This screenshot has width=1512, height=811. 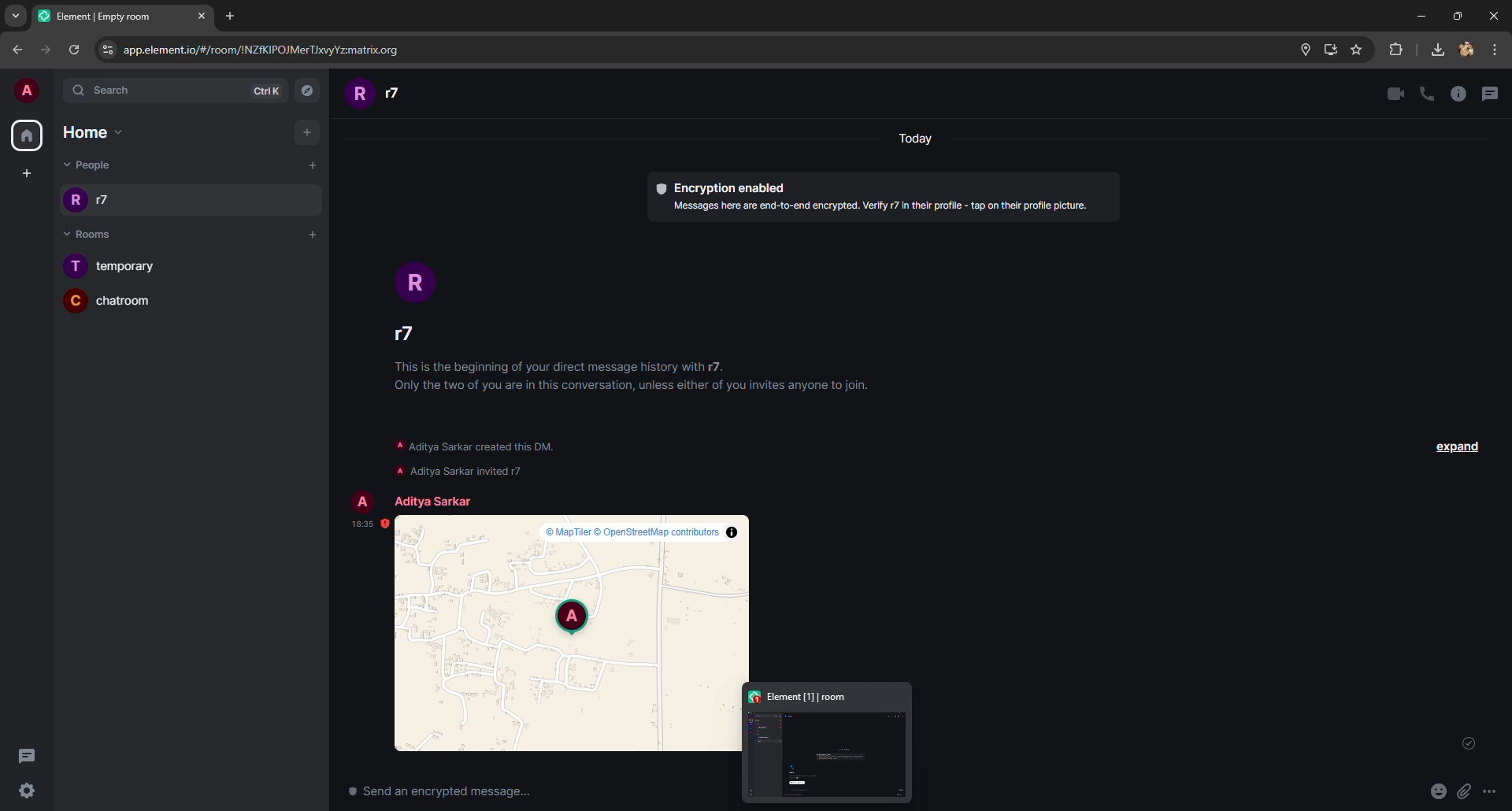 What do you see at coordinates (1462, 793) in the screenshot?
I see `attachments` at bounding box center [1462, 793].